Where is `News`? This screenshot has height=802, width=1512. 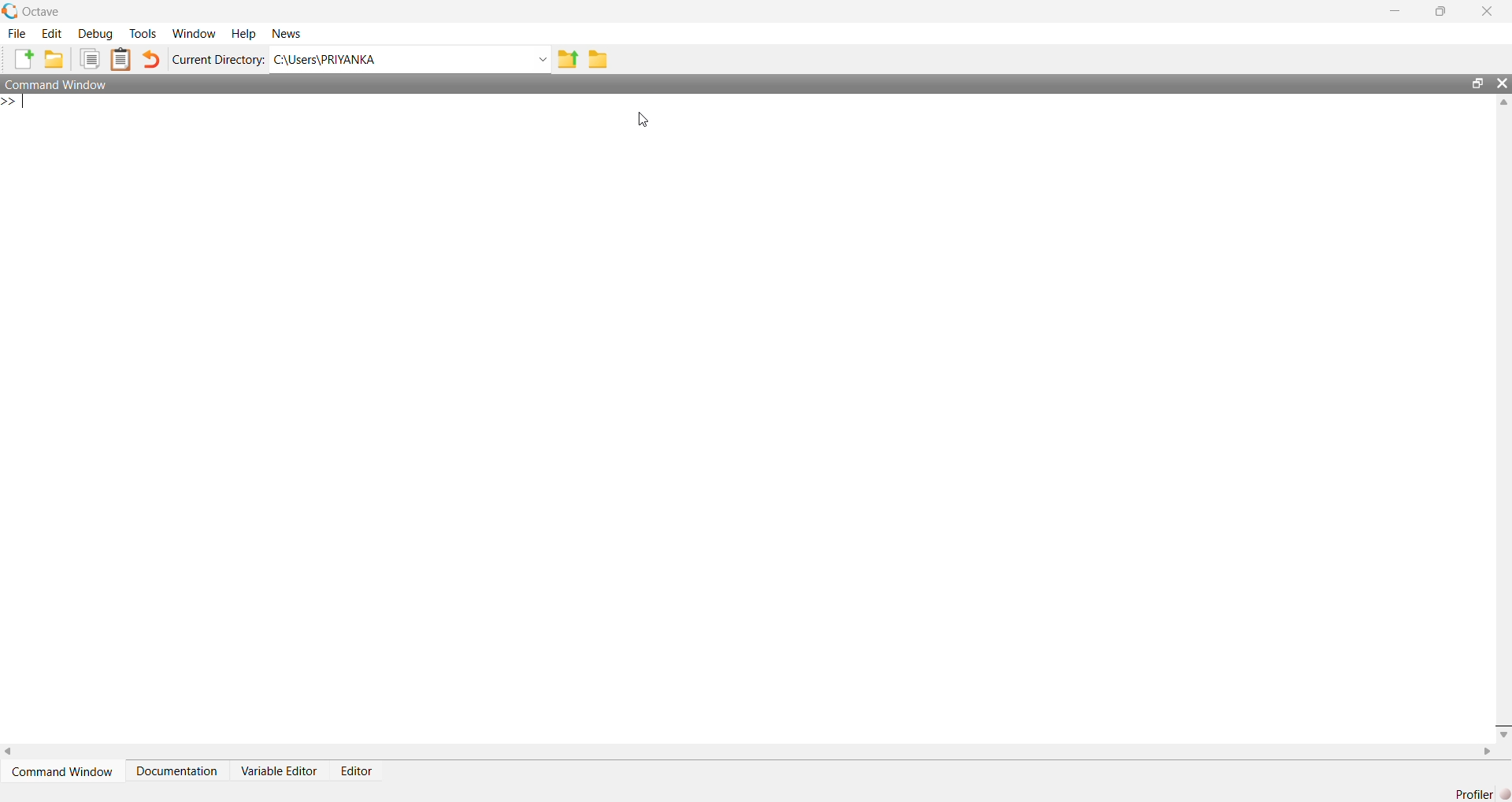 News is located at coordinates (287, 33).